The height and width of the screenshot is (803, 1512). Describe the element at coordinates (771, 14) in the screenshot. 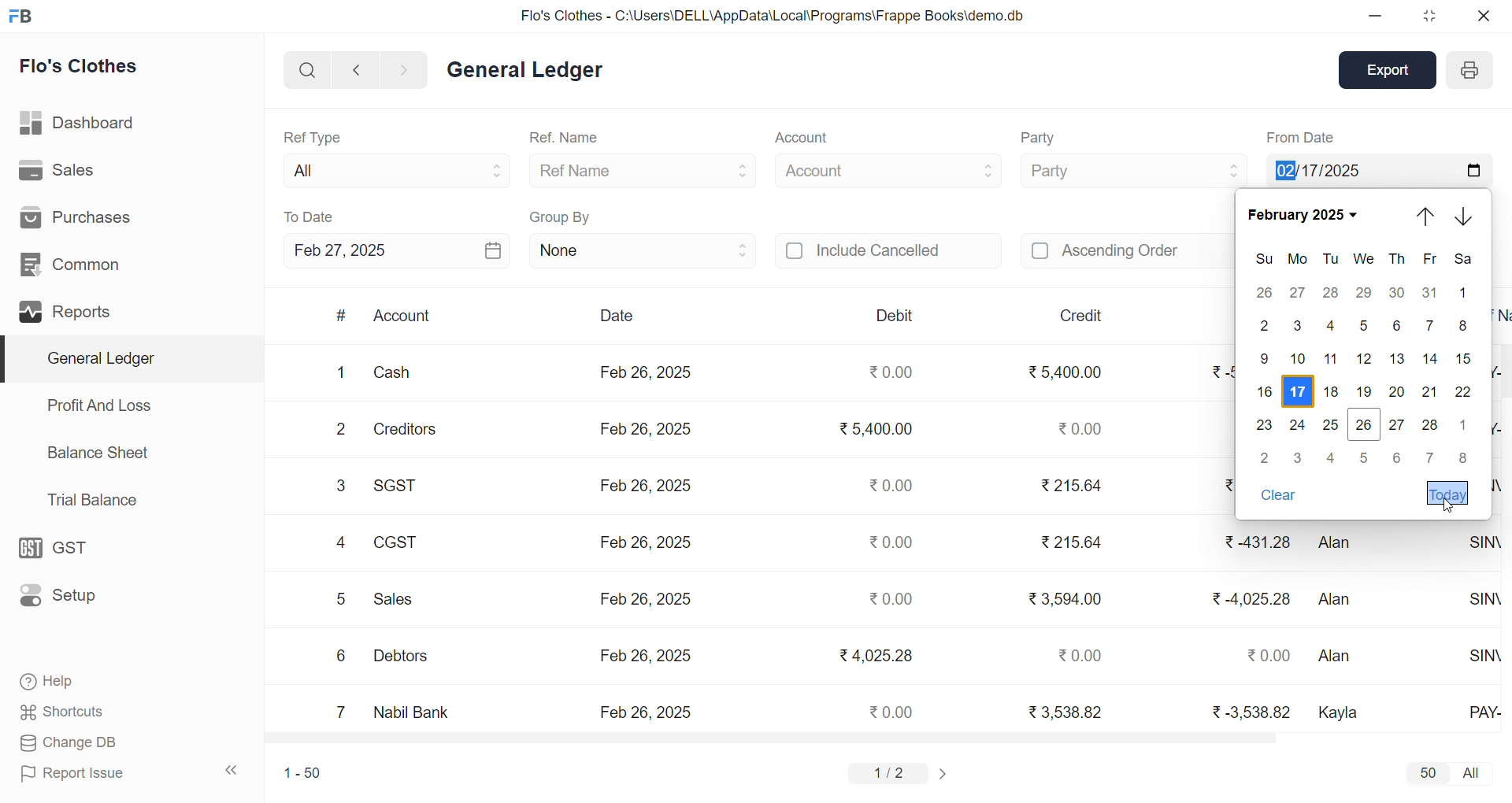

I see `Flo's Clothes - C:\Users\DELL\AppData\Local\Programs\Frappe Books\demo.db` at that location.